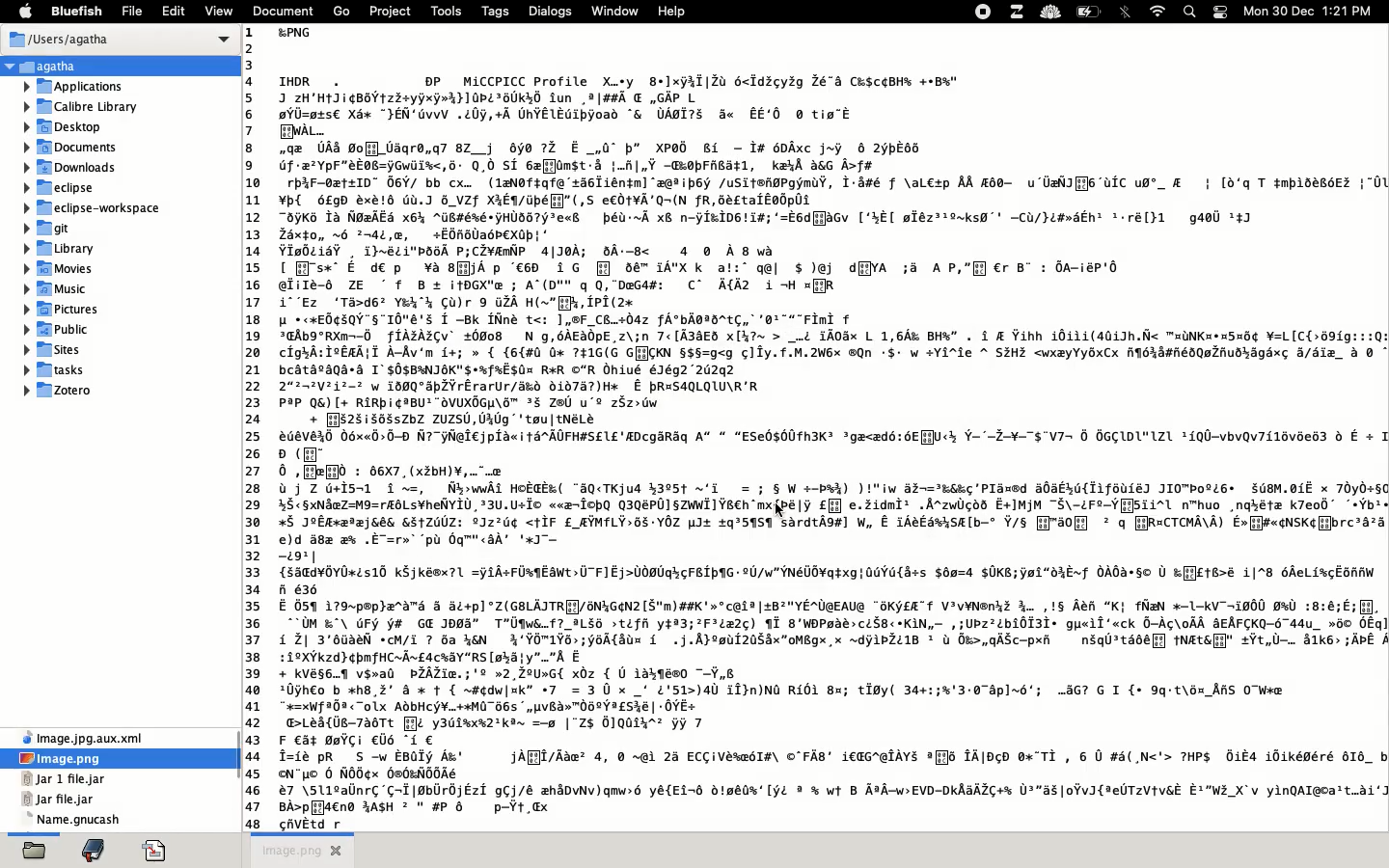 The image size is (1389, 868). What do you see at coordinates (78, 760) in the screenshot?
I see `image png` at bounding box center [78, 760].